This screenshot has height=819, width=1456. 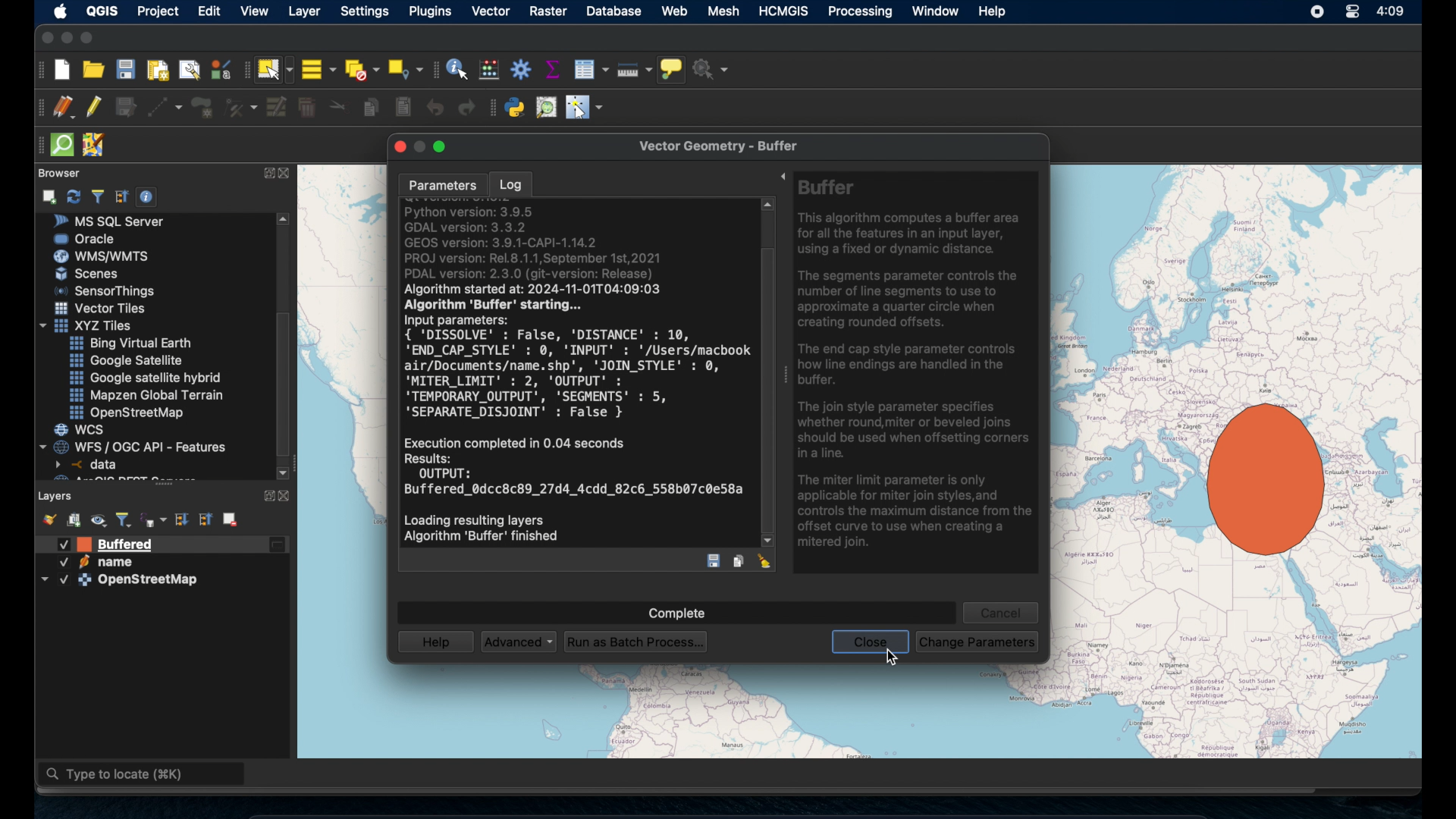 What do you see at coordinates (675, 609) in the screenshot?
I see `complete` at bounding box center [675, 609].